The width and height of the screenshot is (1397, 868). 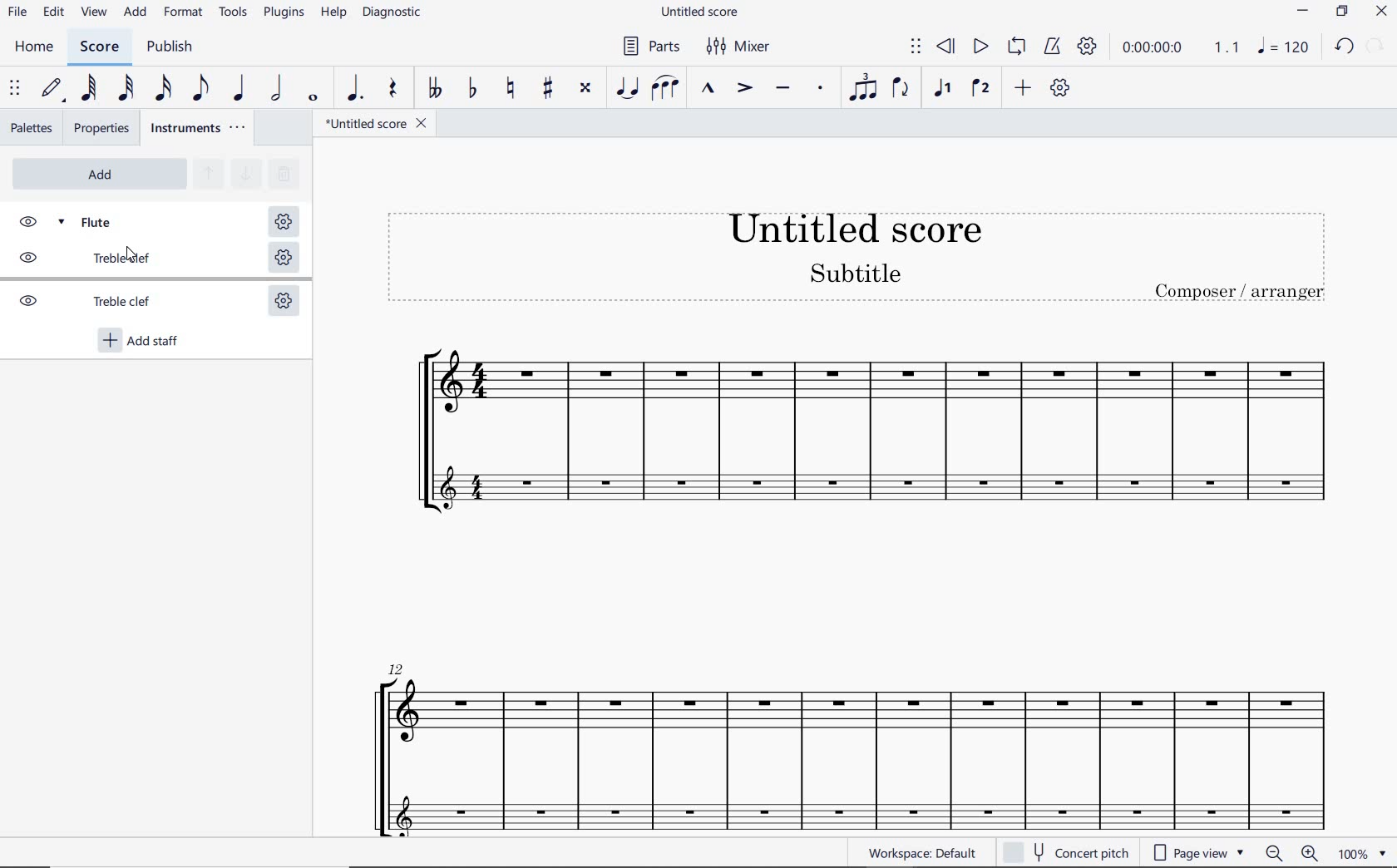 I want to click on TUPLET, so click(x=858, y=89).